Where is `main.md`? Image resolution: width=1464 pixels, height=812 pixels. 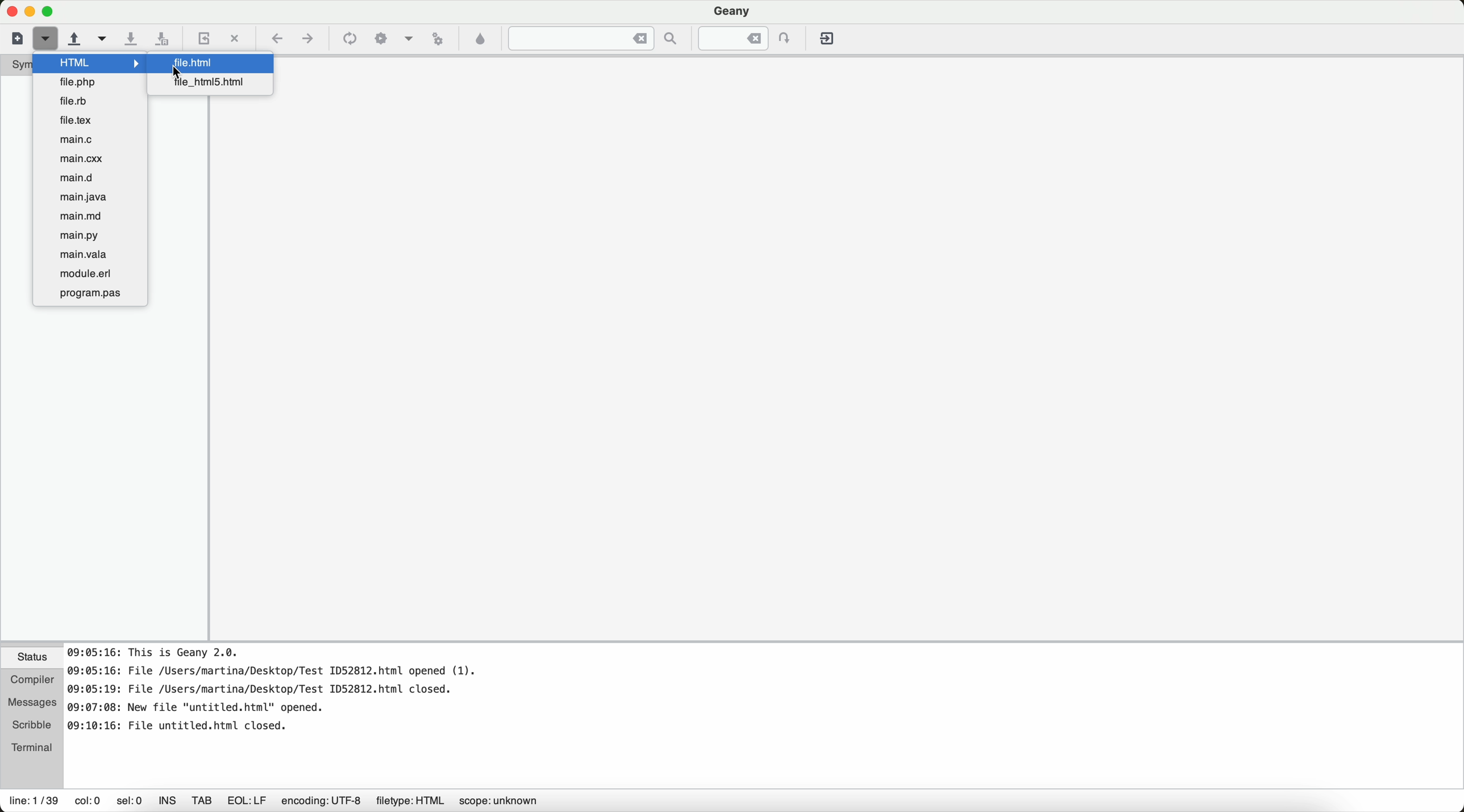
main.md is located at coordinates (89, 214).